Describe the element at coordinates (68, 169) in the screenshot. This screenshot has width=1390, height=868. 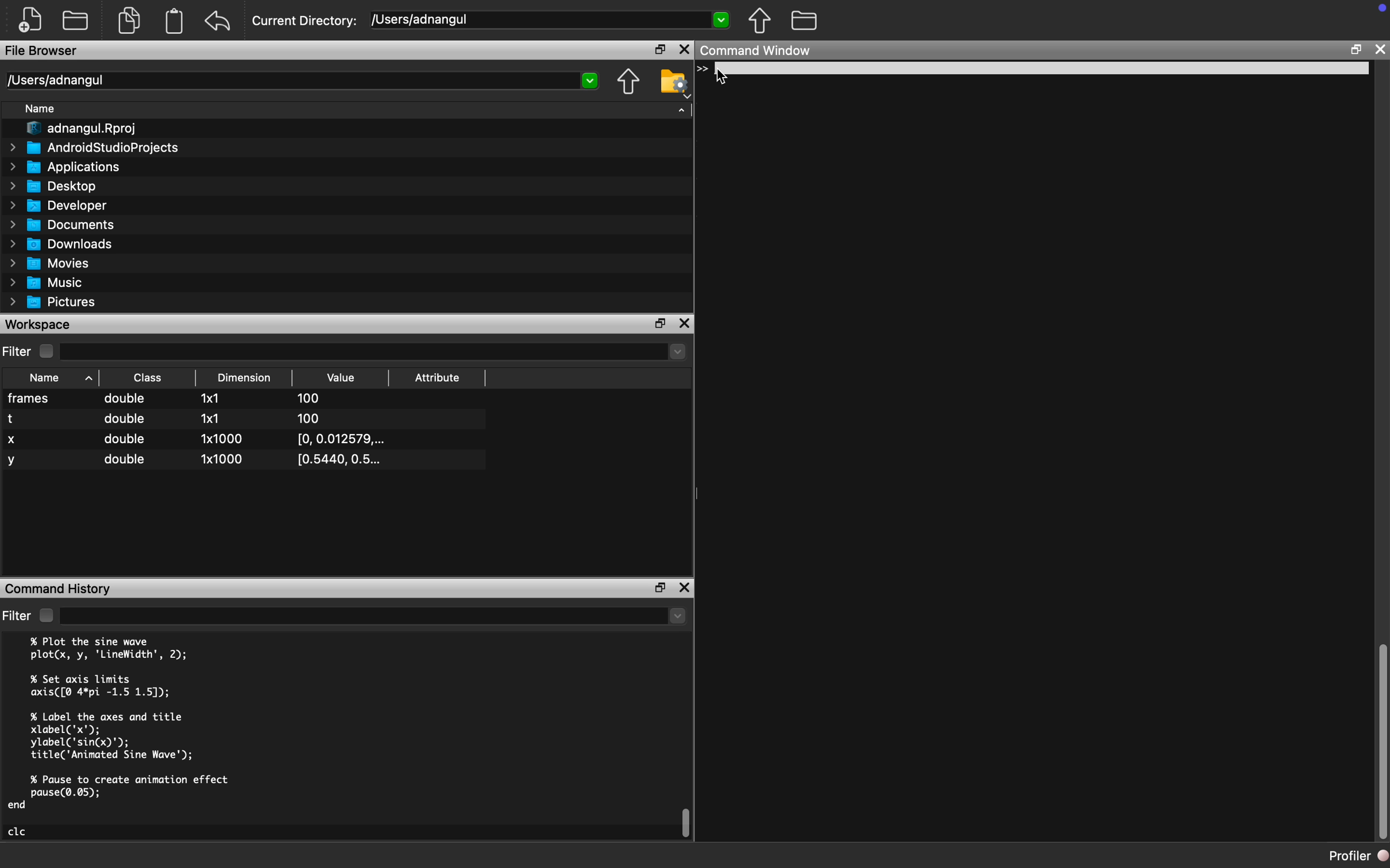
I see `Applications` at that location.